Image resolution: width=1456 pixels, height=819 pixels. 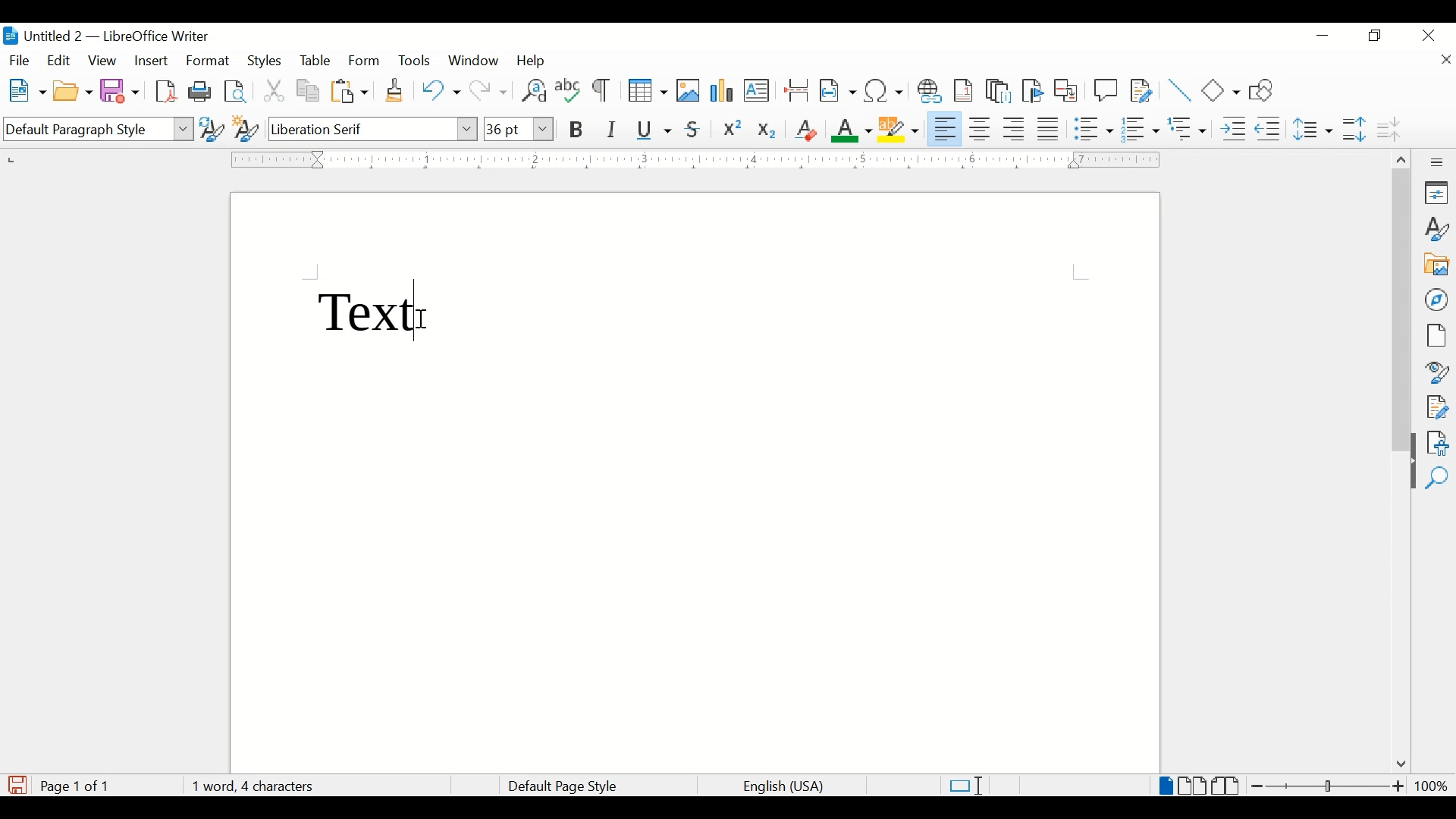 What do you see at coordinates (1081, 272) in the screenshot?
I see `guides` at bounding box center [1081, 272].